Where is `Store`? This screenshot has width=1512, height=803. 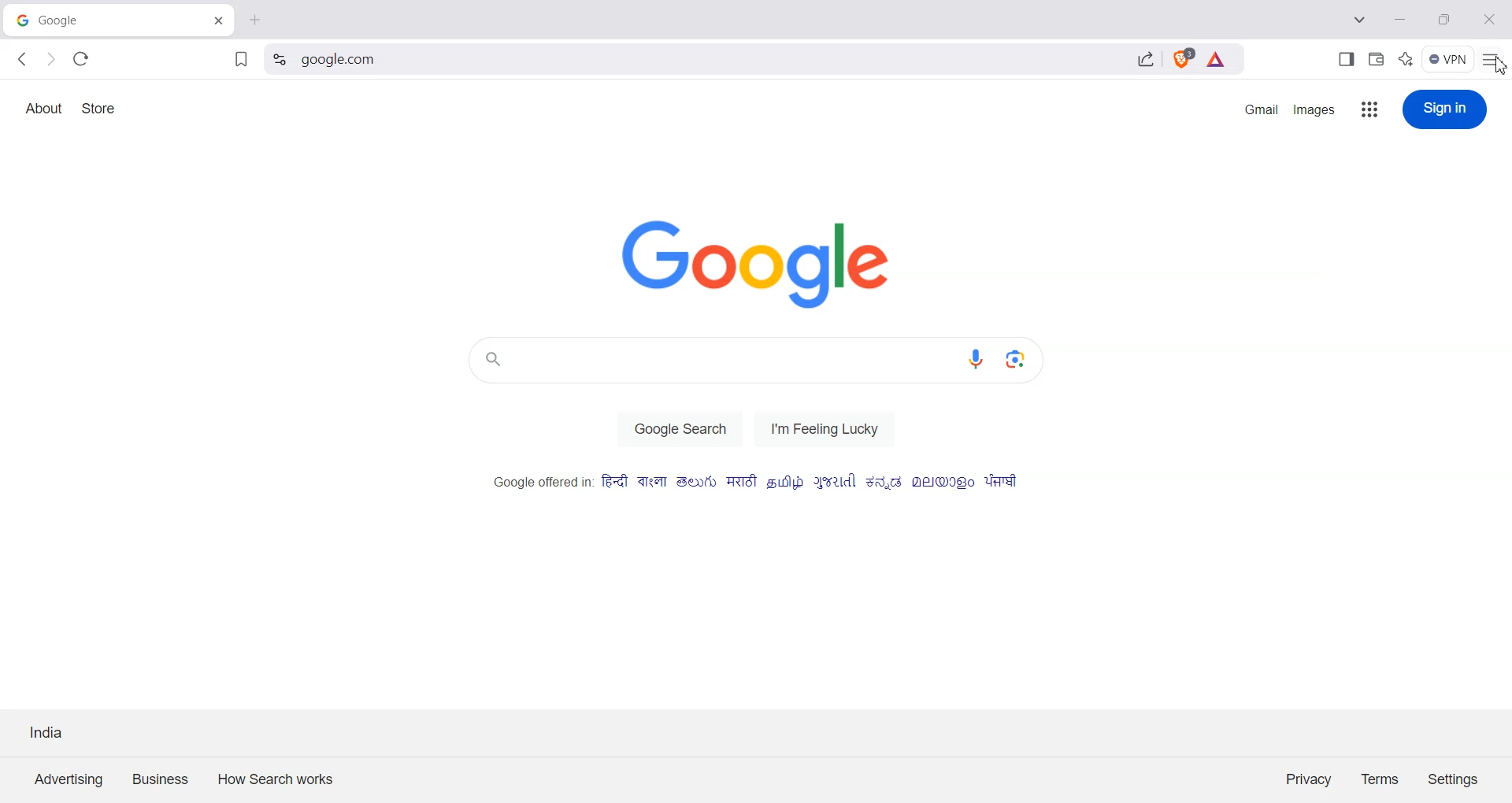
Store is located at coordinates (100, 108).